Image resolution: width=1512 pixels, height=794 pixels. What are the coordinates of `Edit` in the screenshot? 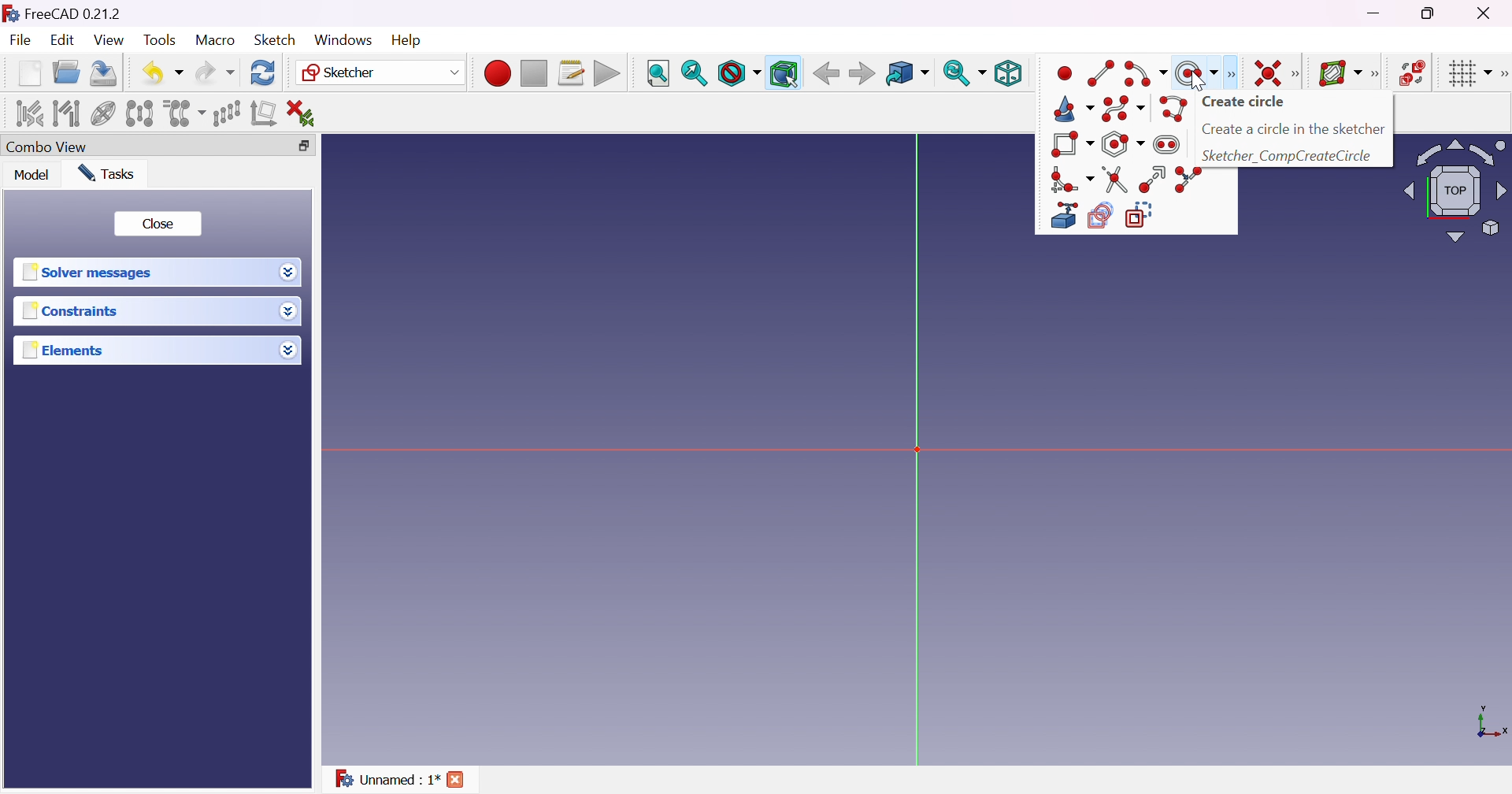 It's located at (61, 42).